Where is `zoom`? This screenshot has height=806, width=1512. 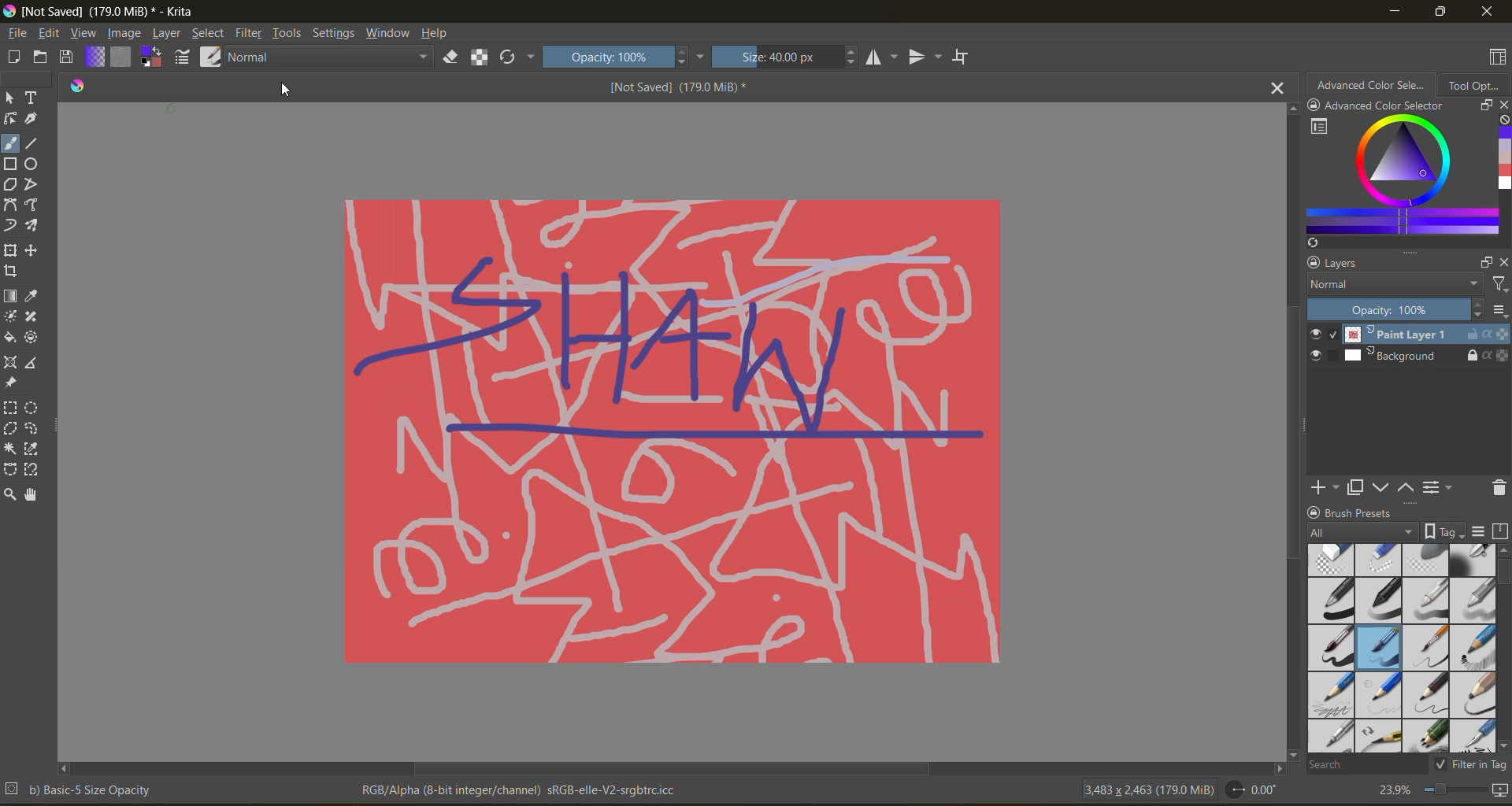
zoom is located at coordinates (1454, 792).